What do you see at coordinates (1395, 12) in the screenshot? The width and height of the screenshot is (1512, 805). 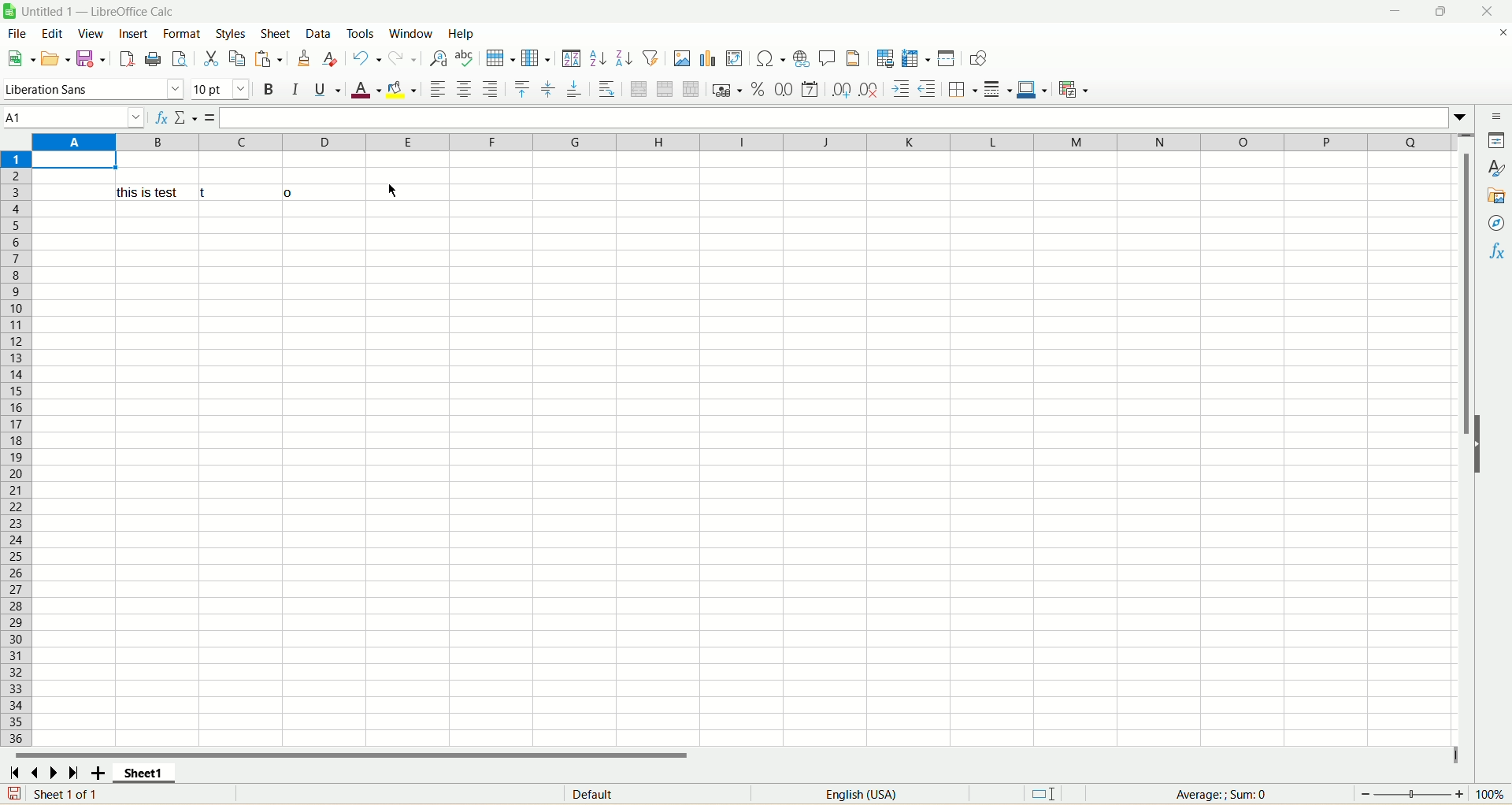 I see `minimize` at bounding box center [1395, 12].